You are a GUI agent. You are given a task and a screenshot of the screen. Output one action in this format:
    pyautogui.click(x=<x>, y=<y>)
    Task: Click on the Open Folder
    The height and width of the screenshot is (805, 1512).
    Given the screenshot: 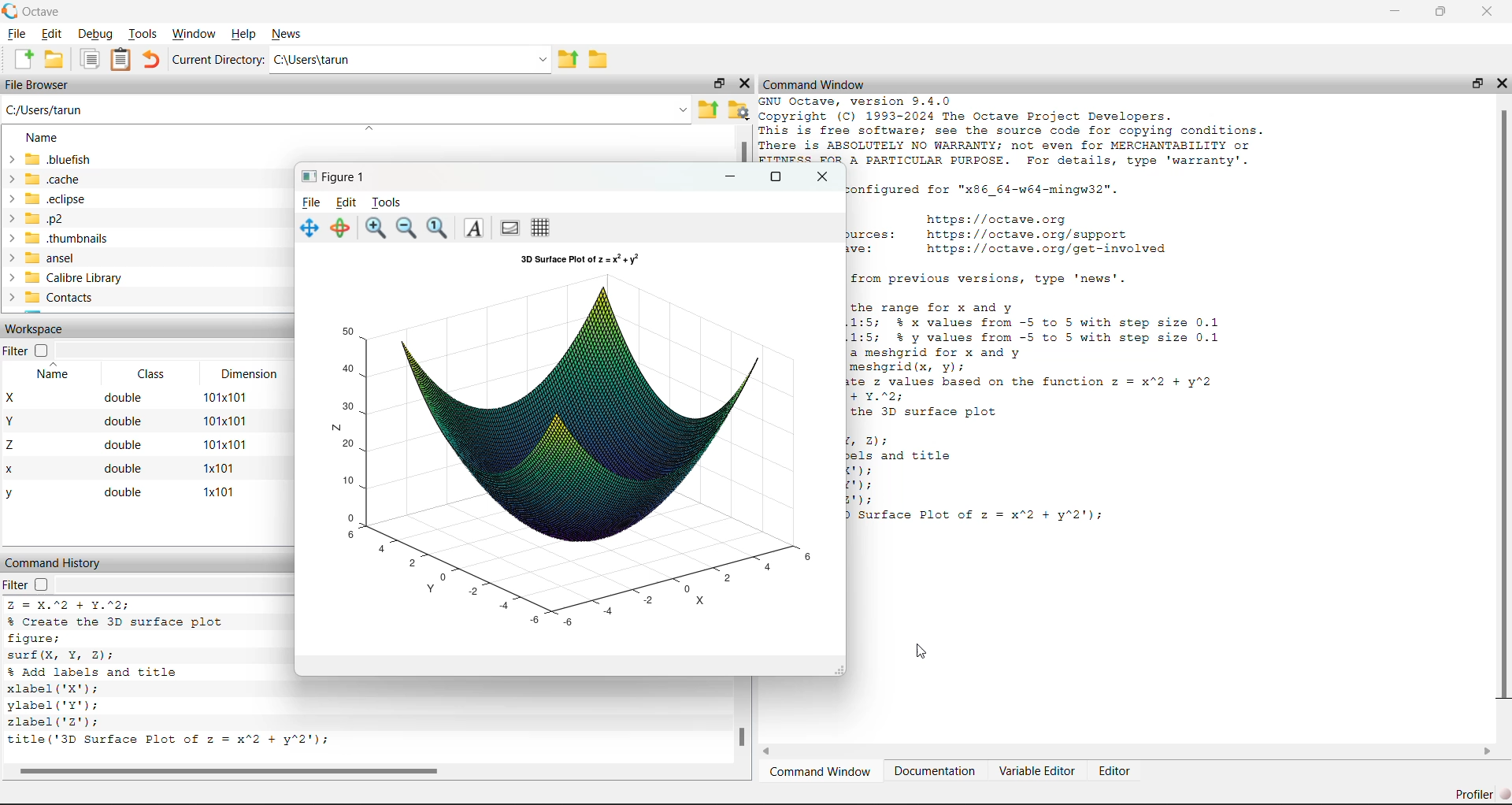 What is the action you would take?
    pyautogui.click(x=56, y=59)
    